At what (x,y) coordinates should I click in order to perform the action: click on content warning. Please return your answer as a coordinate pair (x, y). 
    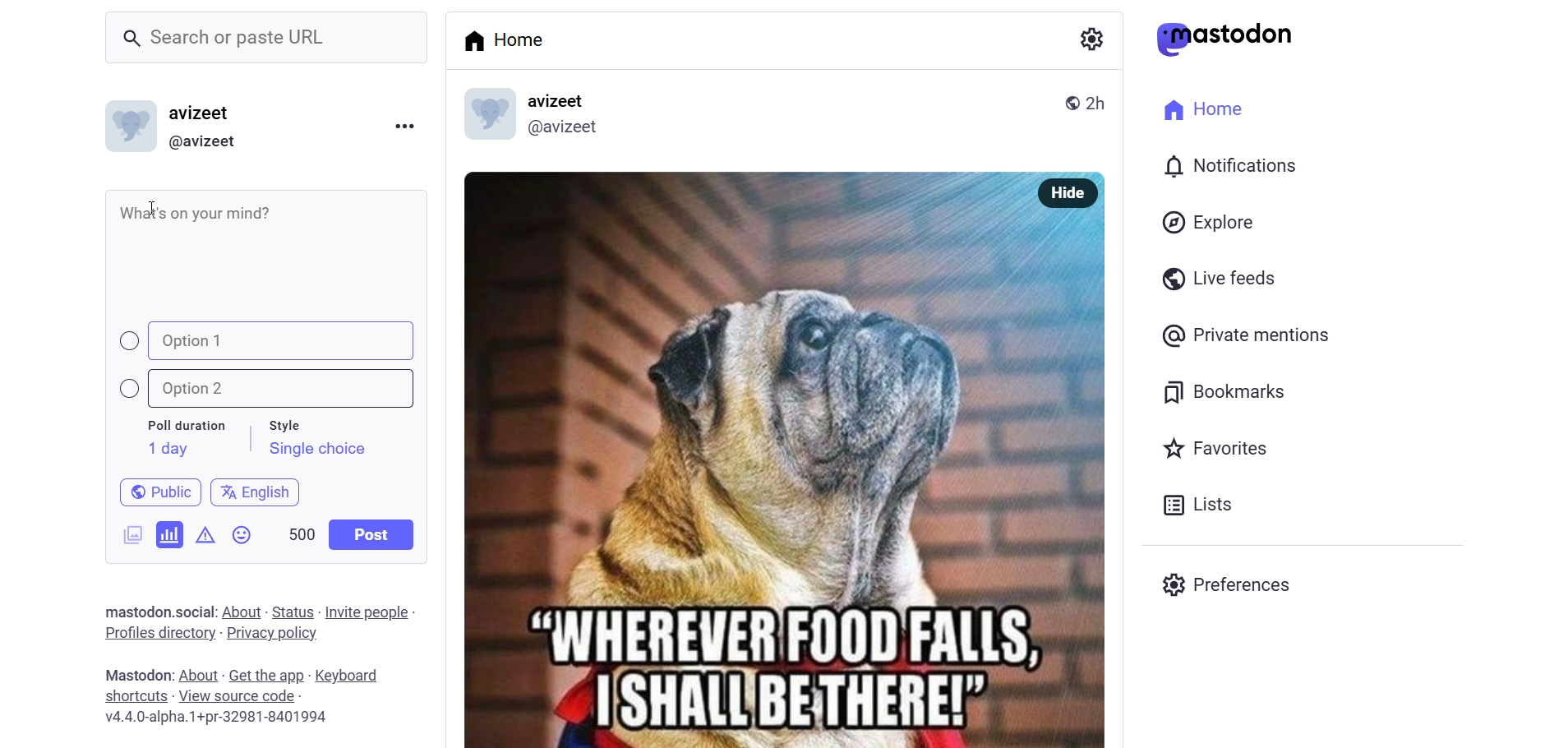
    Looking at the image, I should click on (205, 532).